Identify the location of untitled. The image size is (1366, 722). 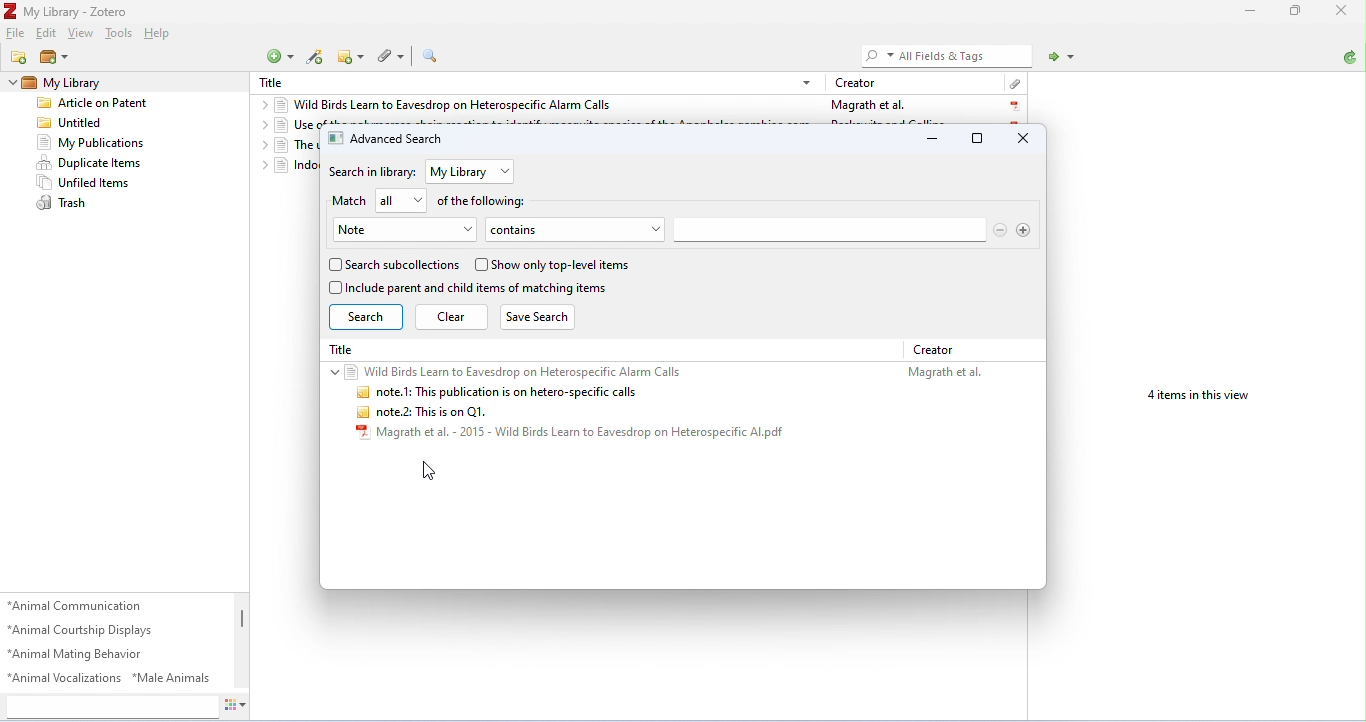
(73, 124).